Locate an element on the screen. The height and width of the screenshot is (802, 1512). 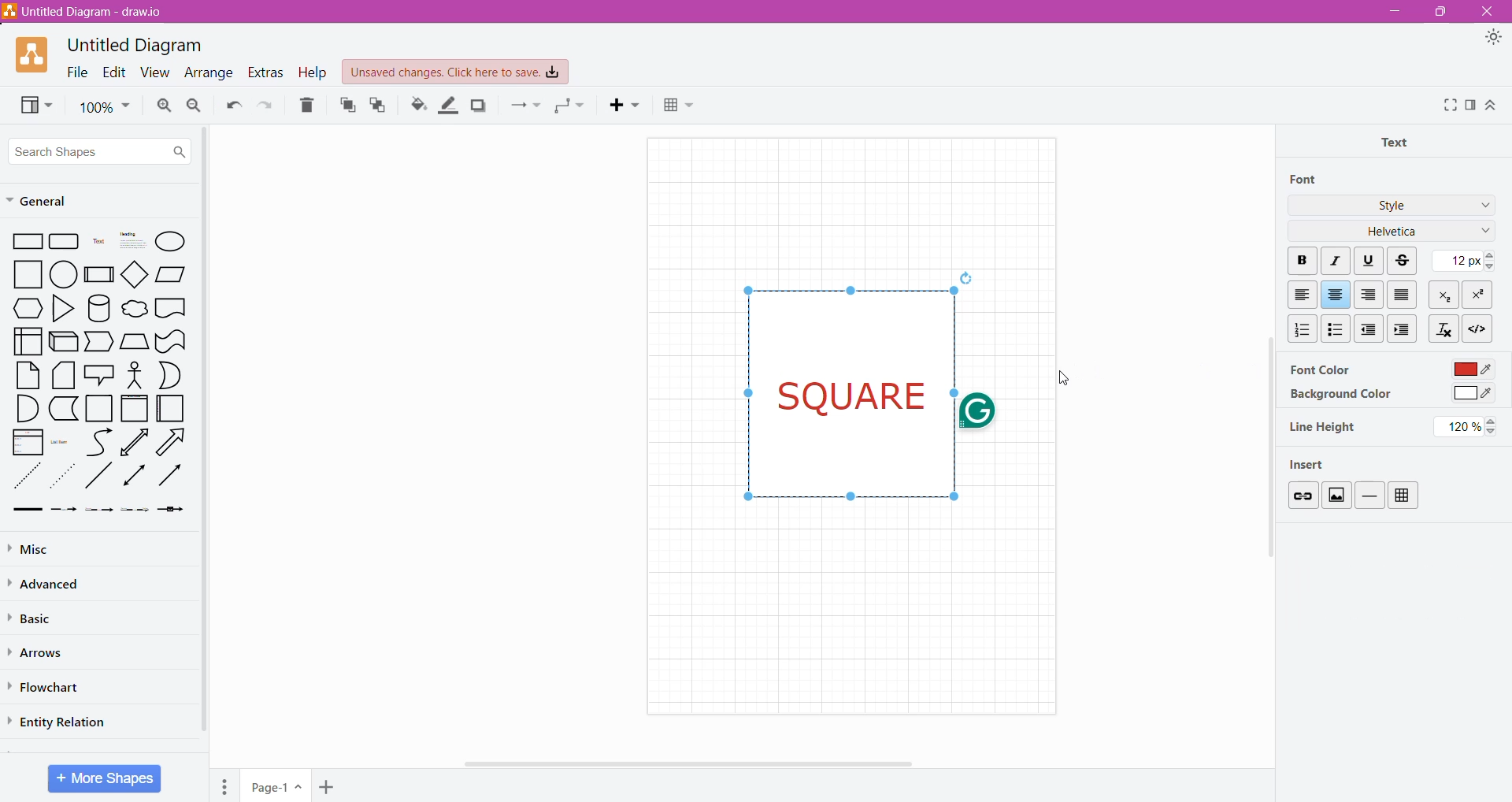
Waypoints is located at coordinates (570, 106).